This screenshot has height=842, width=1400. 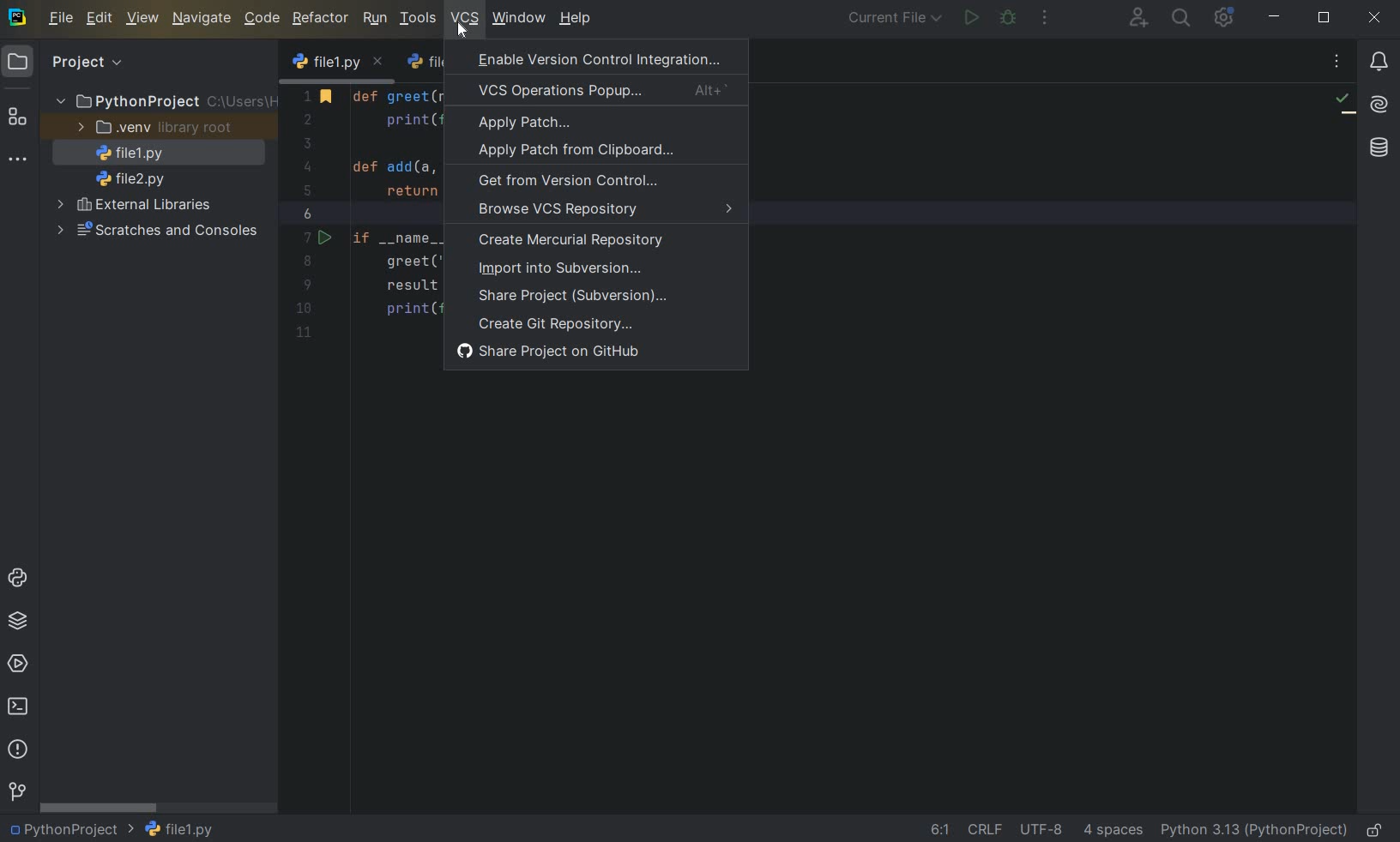 I want to click on ide and projectsettings, so click(x=1223, y=18).